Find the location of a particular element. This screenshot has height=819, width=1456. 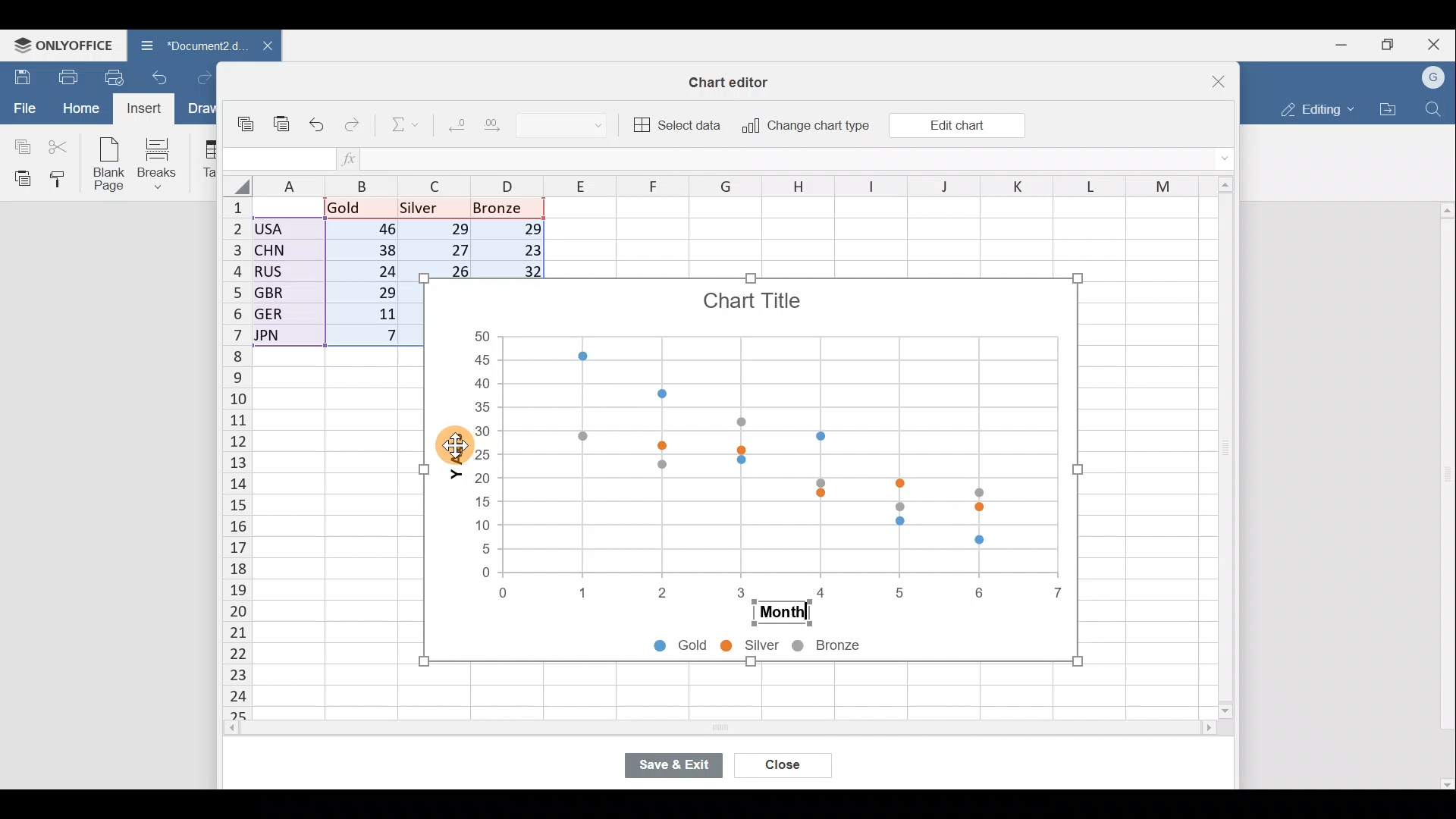

Redo is located at coordinates (356, 121).